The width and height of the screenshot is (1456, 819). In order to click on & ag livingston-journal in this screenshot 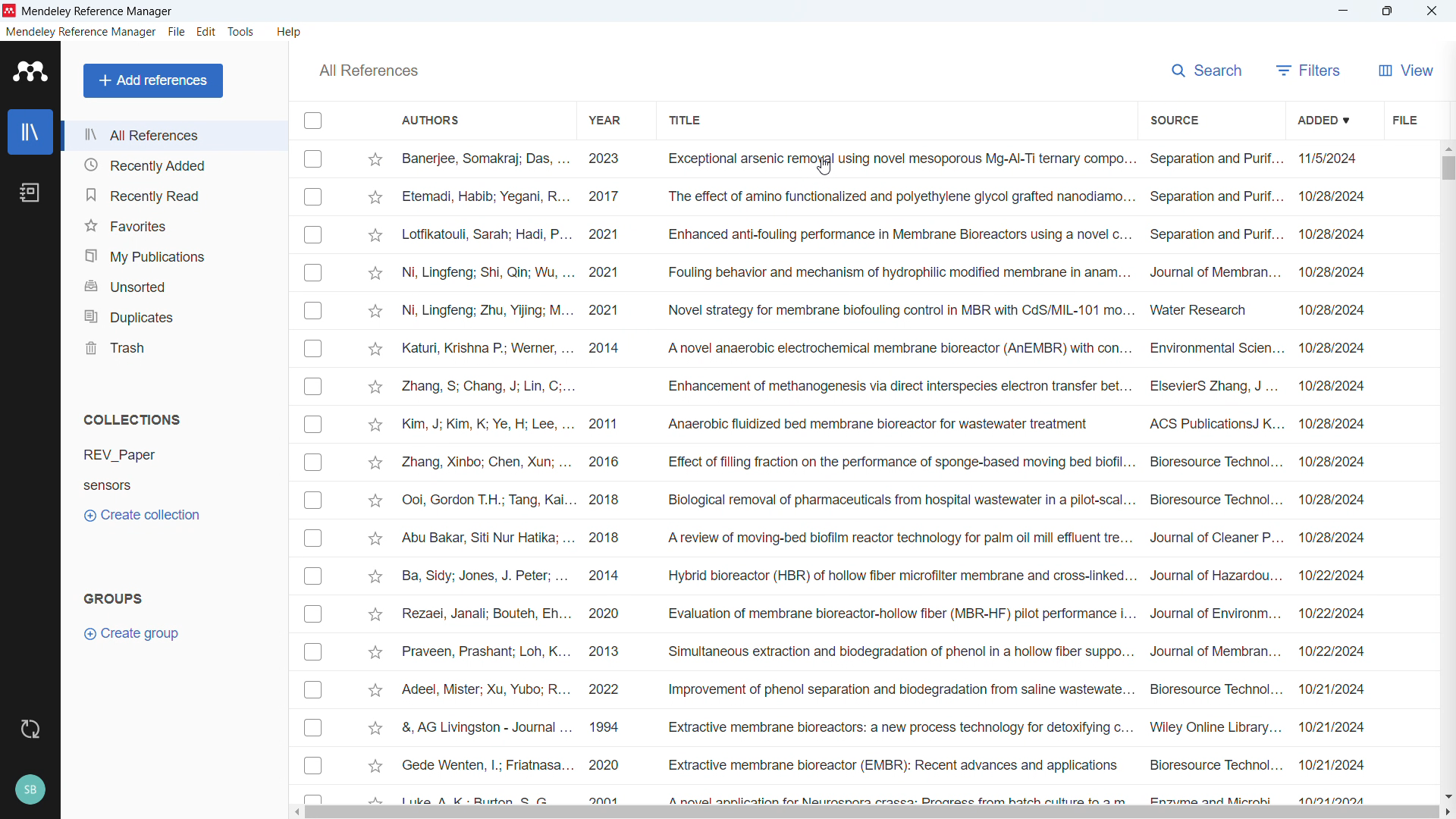, I will do `click(480, 726)`.